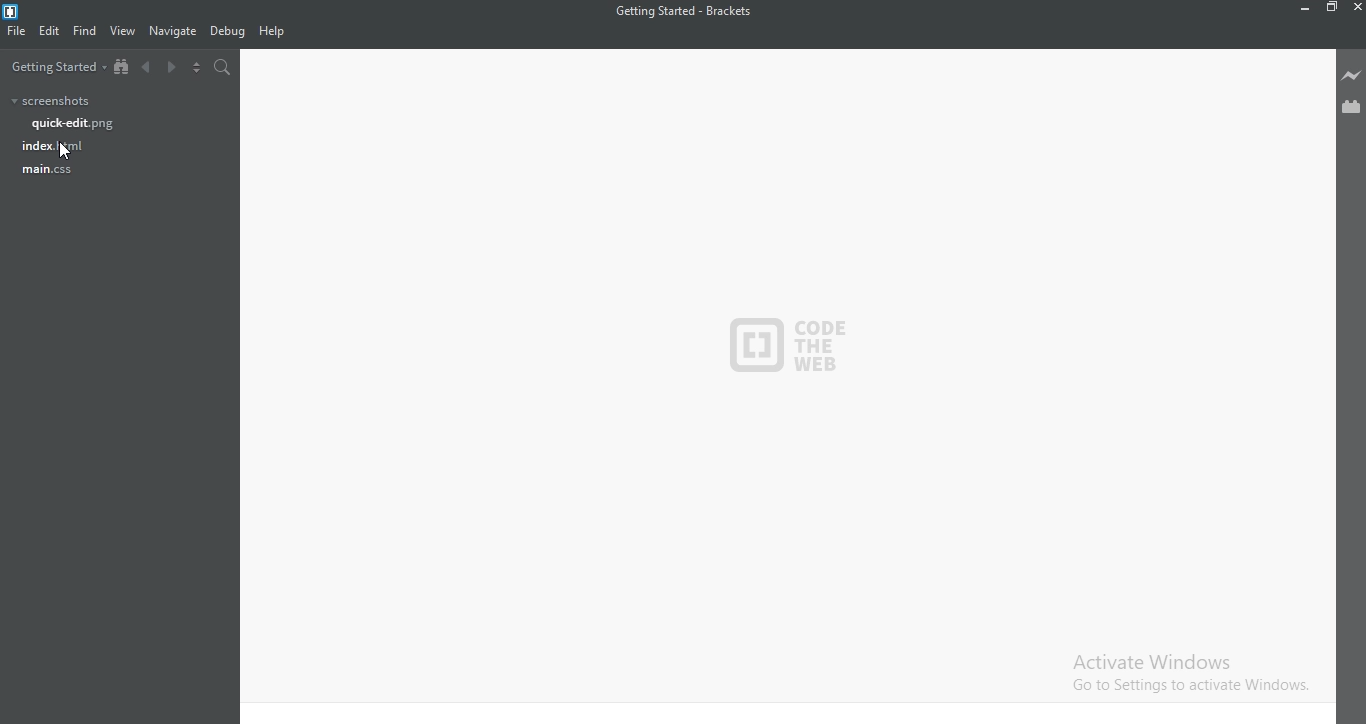 Image resolution: width=1366 pixels, height=724 pixels. I want to click on Extension Manager, so click(1351, 108).